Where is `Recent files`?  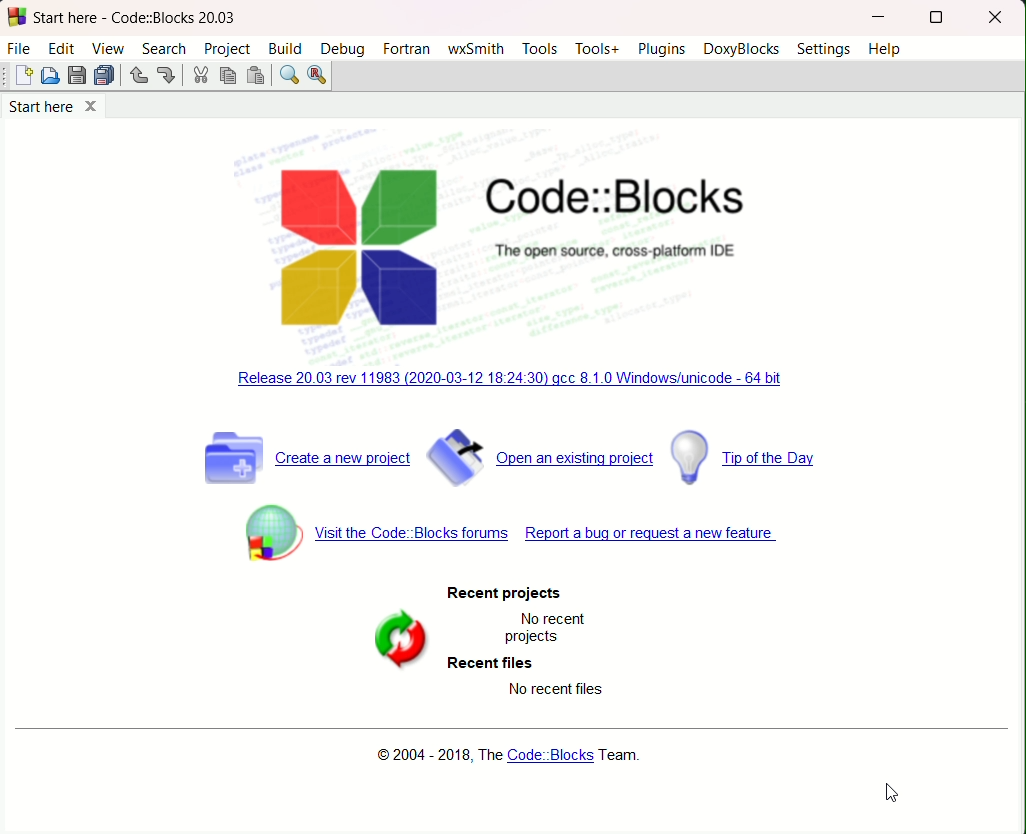
Recent files is located at coordinates (490, 665).